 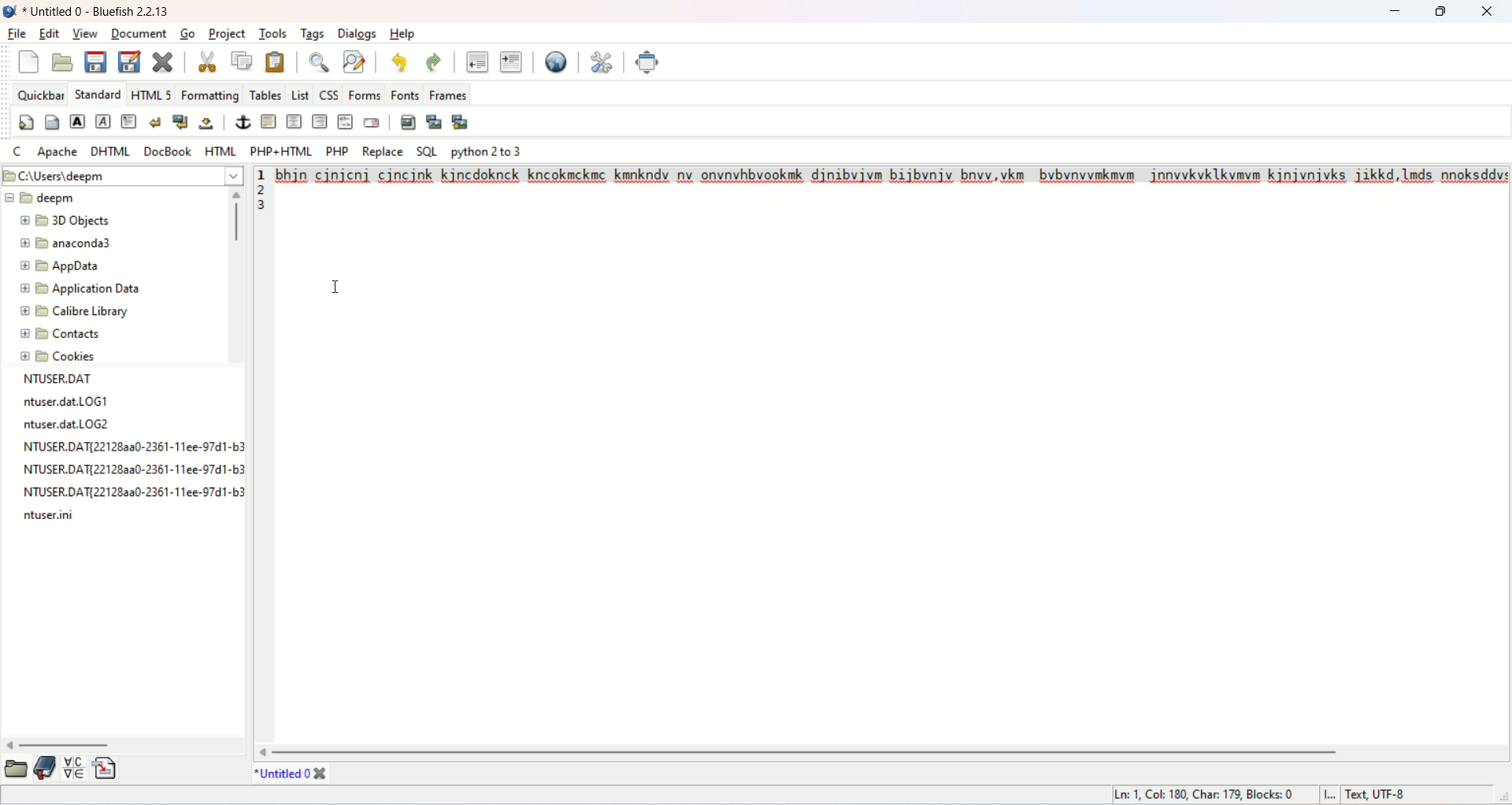 What do you see at coordinates (244, 61) in the screenshot?
I see `copy` at bounding box center [244, 61].